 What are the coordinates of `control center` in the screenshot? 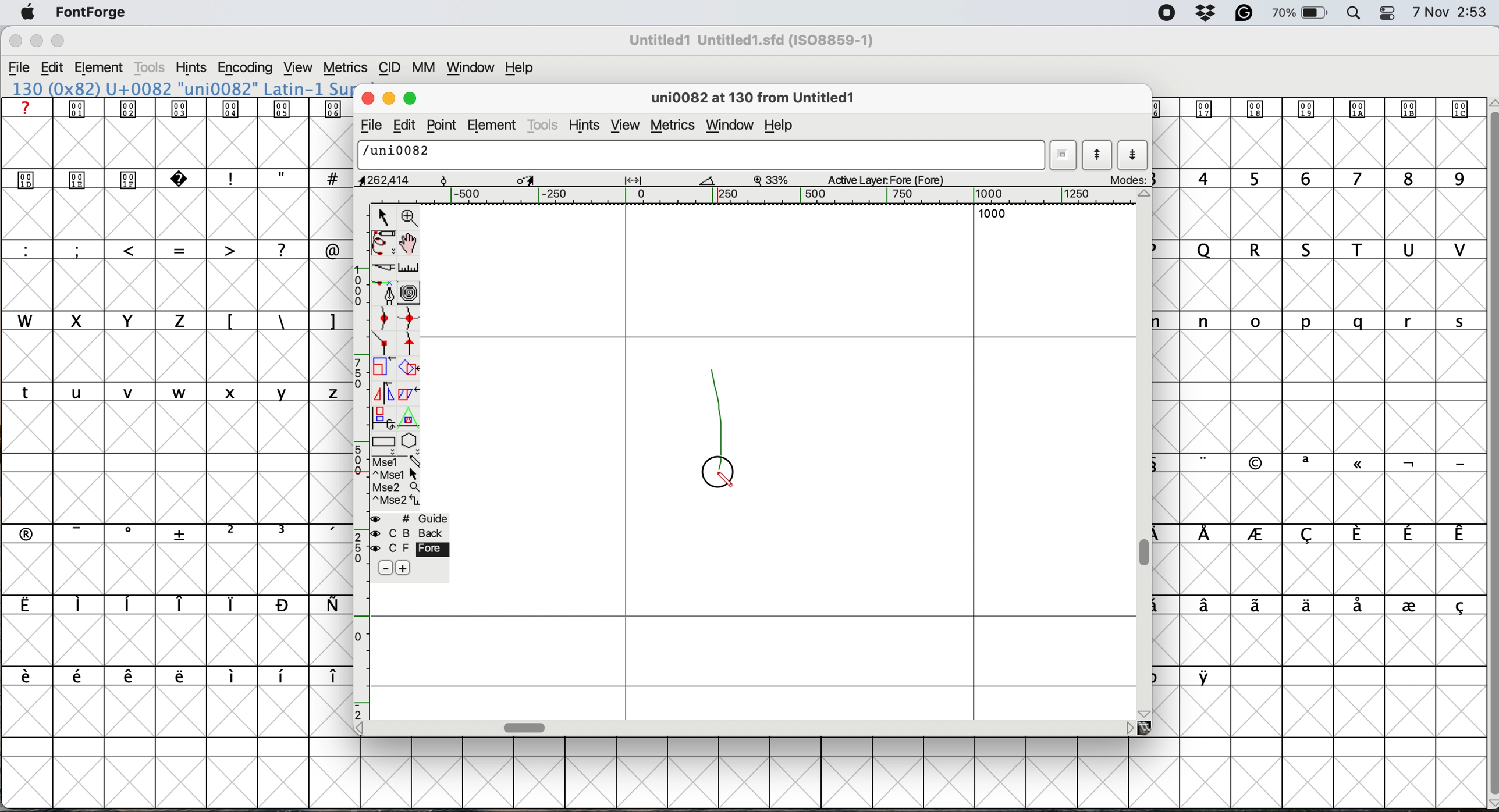 It's located at (1391, 12).